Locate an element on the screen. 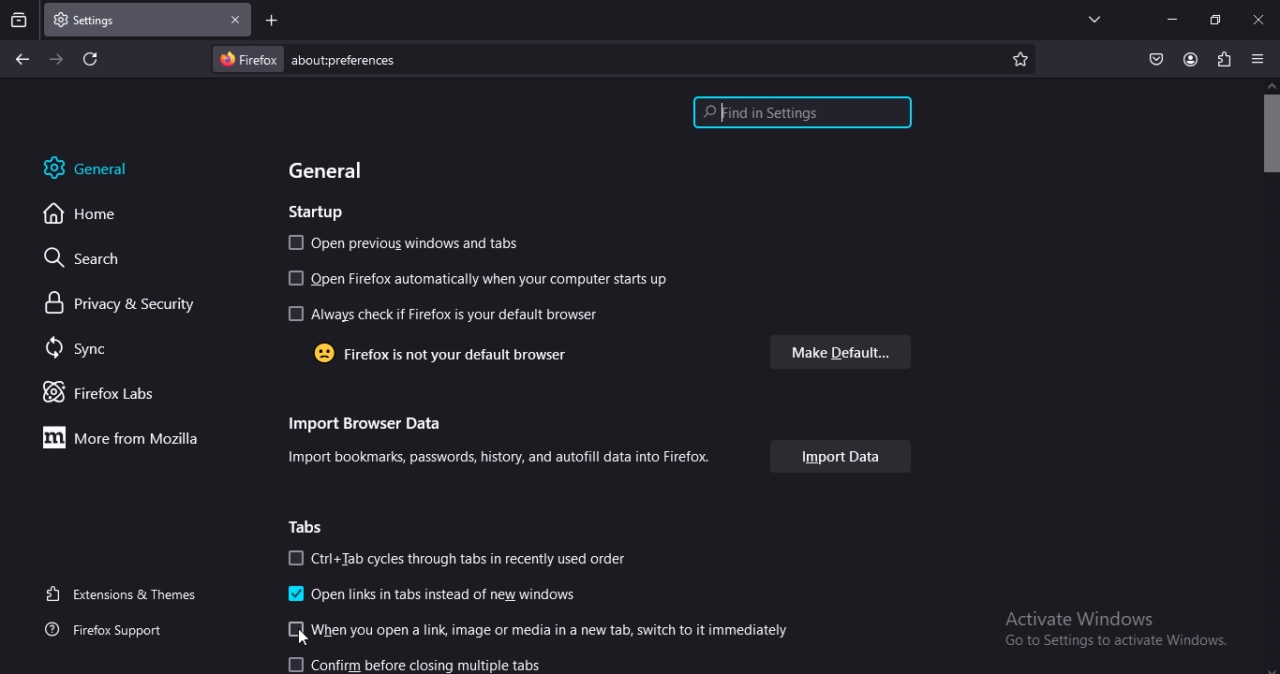  save to pocket is located at coordinates (1154, 60).